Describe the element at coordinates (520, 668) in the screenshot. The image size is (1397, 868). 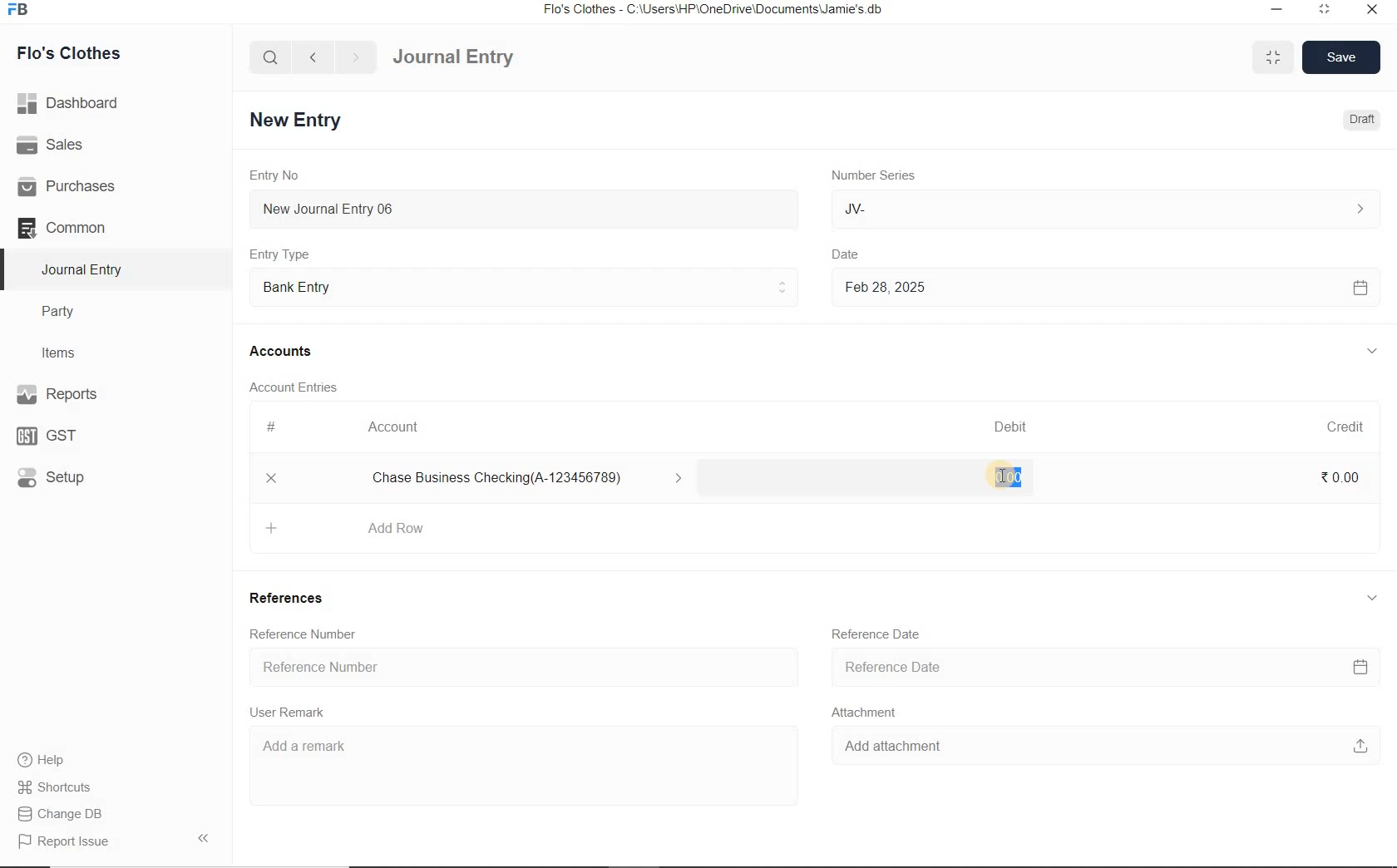
I see `Reference Number` at that location.